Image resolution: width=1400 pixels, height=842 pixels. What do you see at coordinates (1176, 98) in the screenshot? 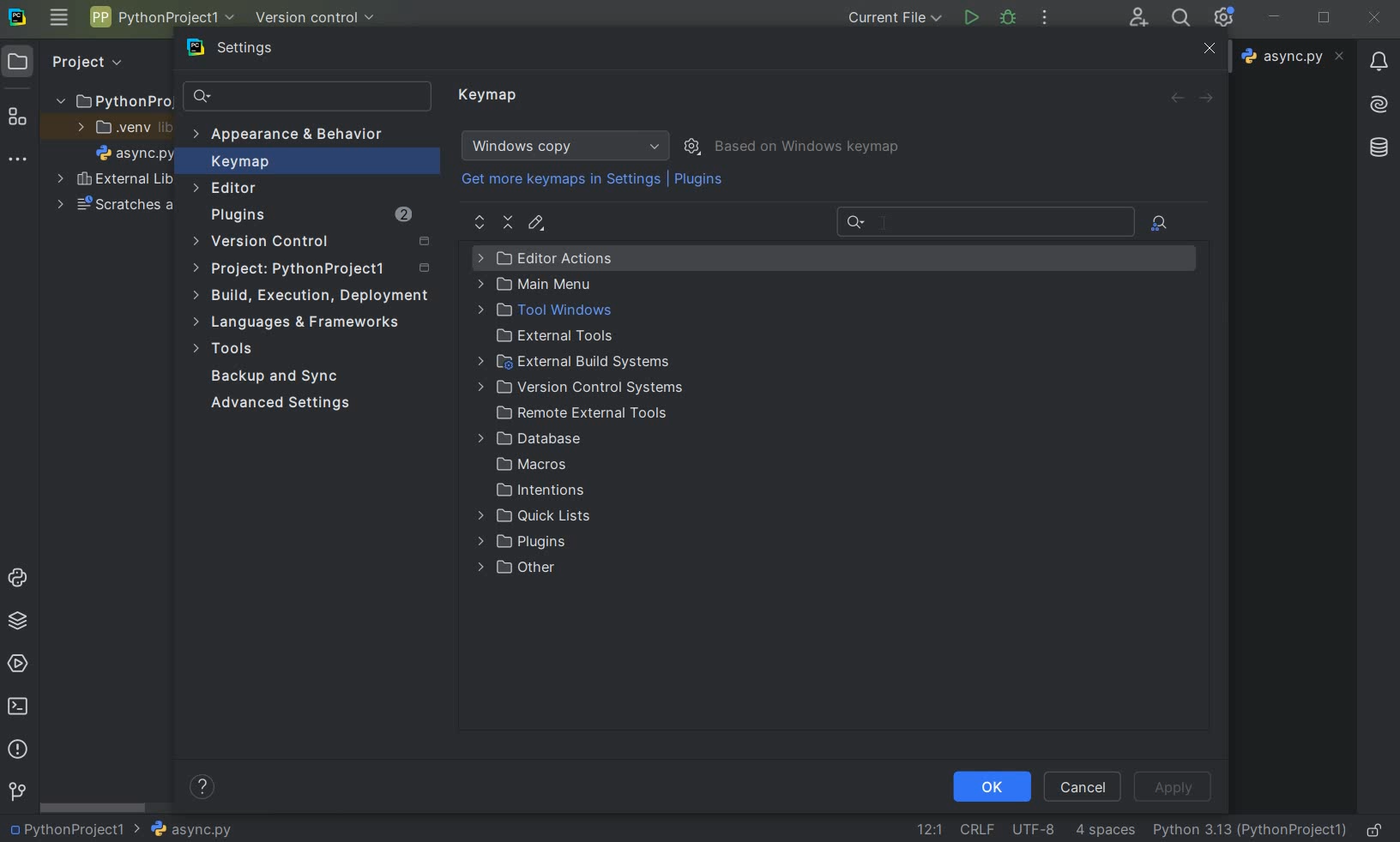
I see `back` at bounding box center [1176, 98].